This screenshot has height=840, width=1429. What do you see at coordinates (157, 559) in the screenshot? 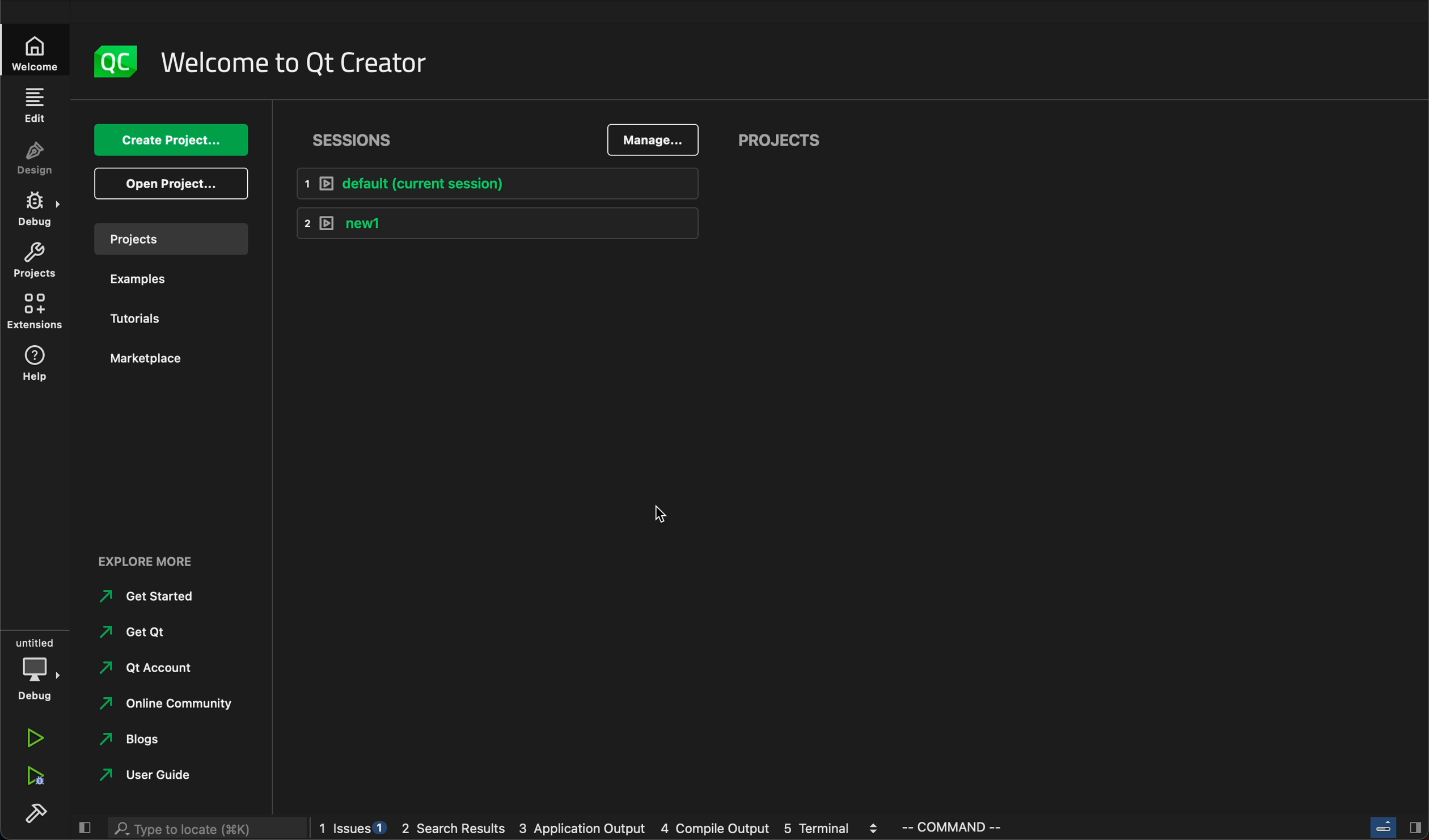
I see `explore more` at bounding box center [157, 559].